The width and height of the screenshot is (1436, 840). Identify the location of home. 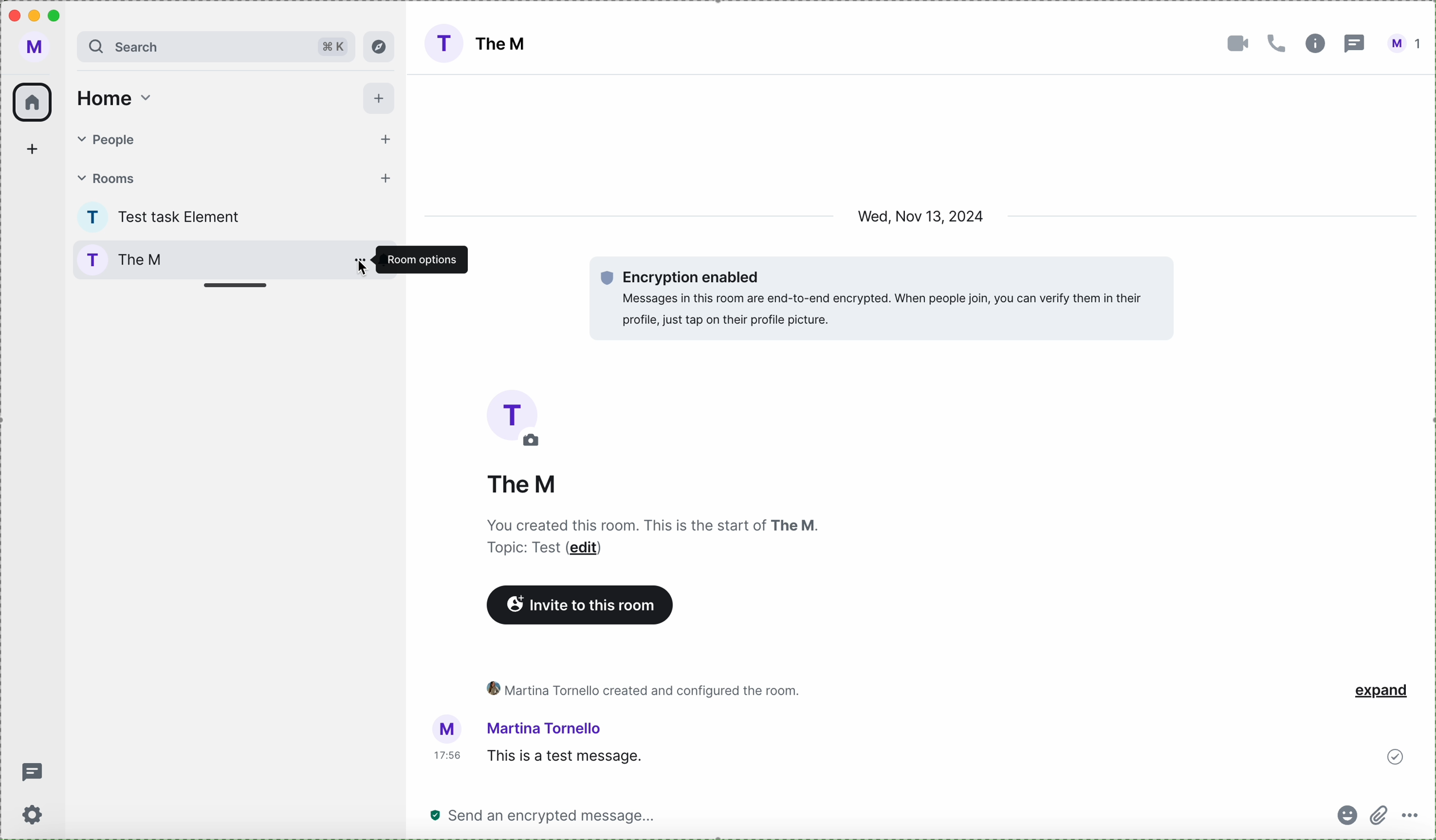
(115, 100).